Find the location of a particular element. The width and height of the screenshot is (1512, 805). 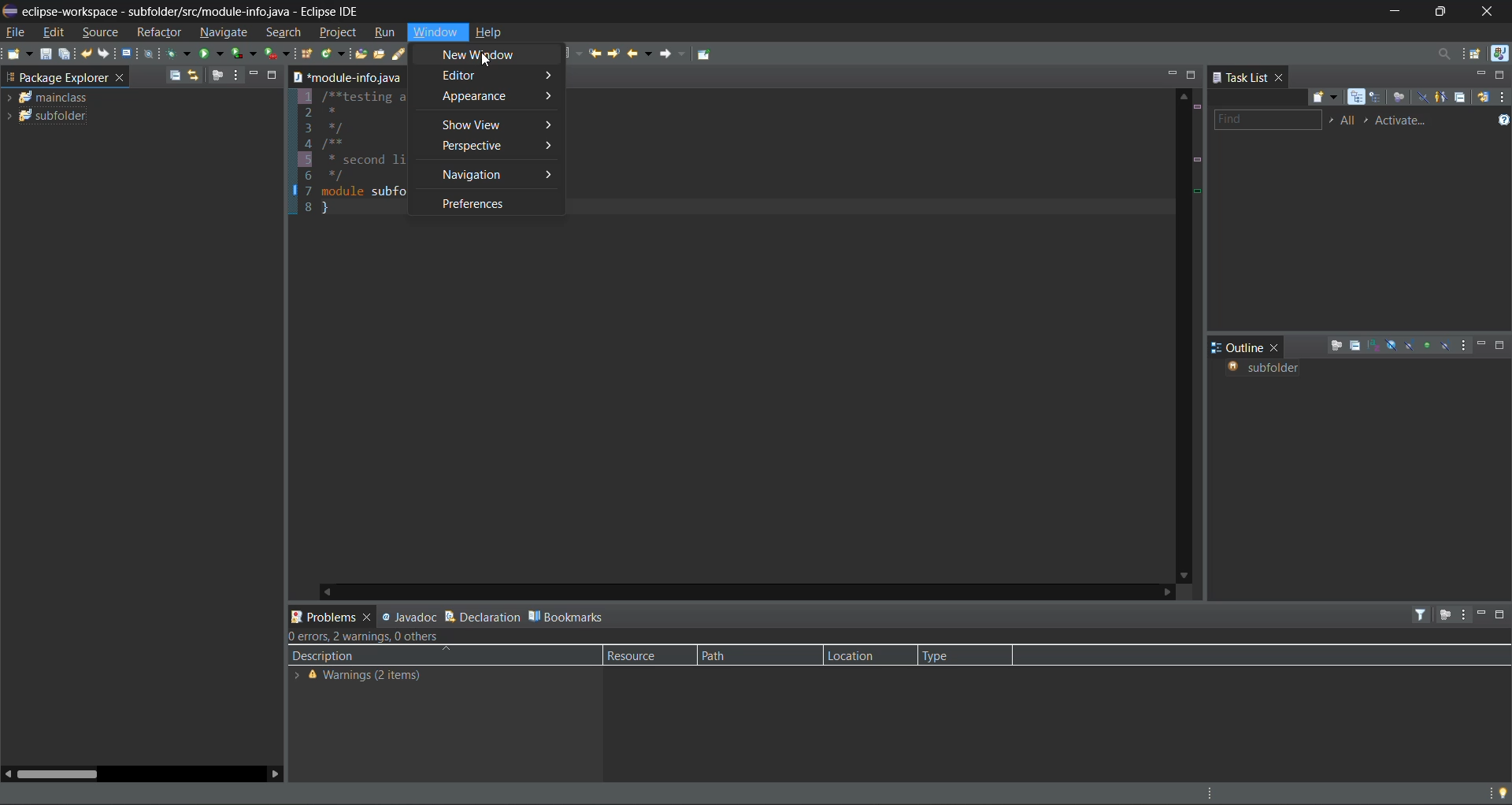

access commands and other items is located at coordinates (1447, 54).